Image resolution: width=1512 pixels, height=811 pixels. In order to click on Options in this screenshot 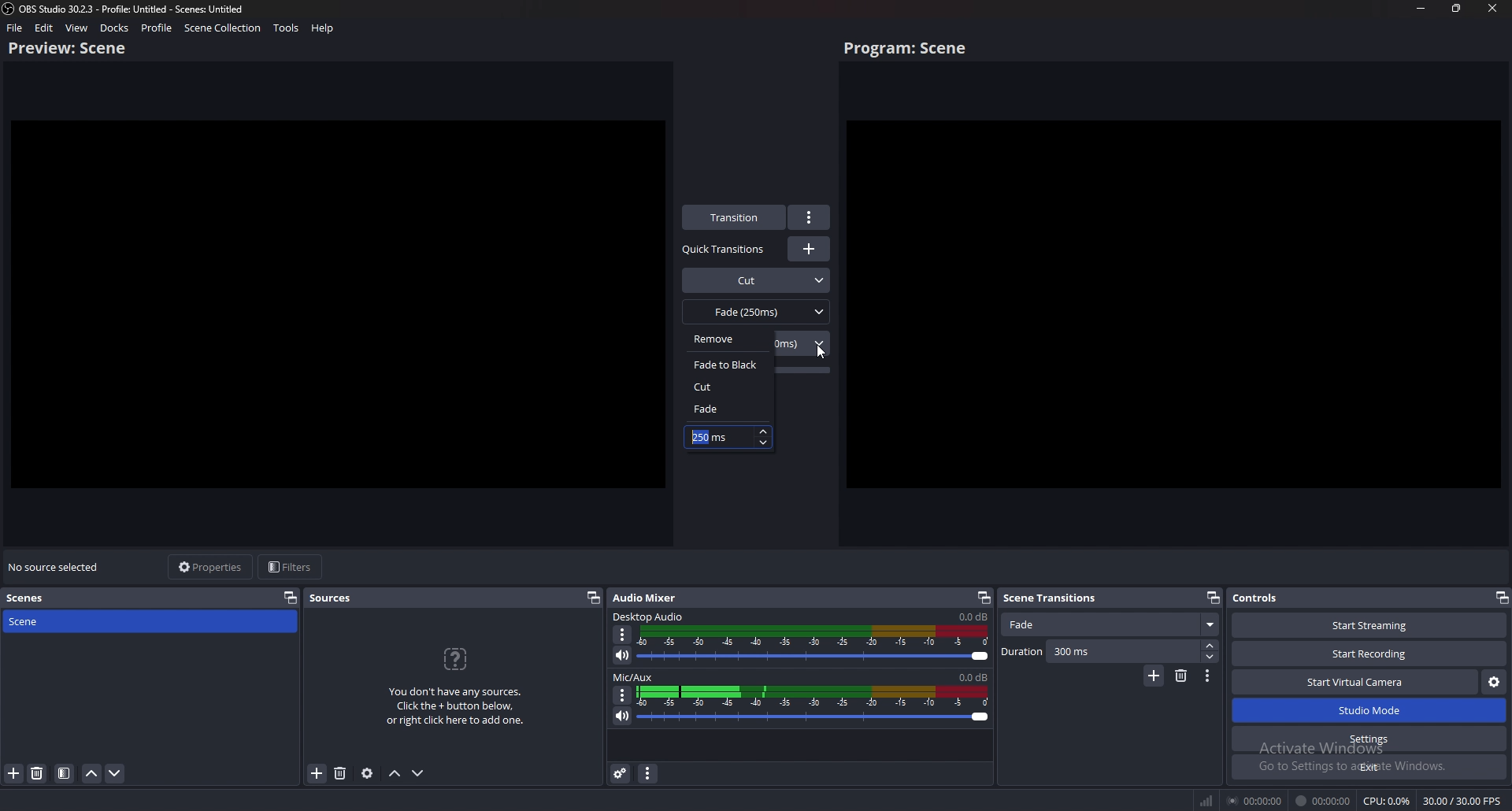, I will do `click(1208, 677)`.